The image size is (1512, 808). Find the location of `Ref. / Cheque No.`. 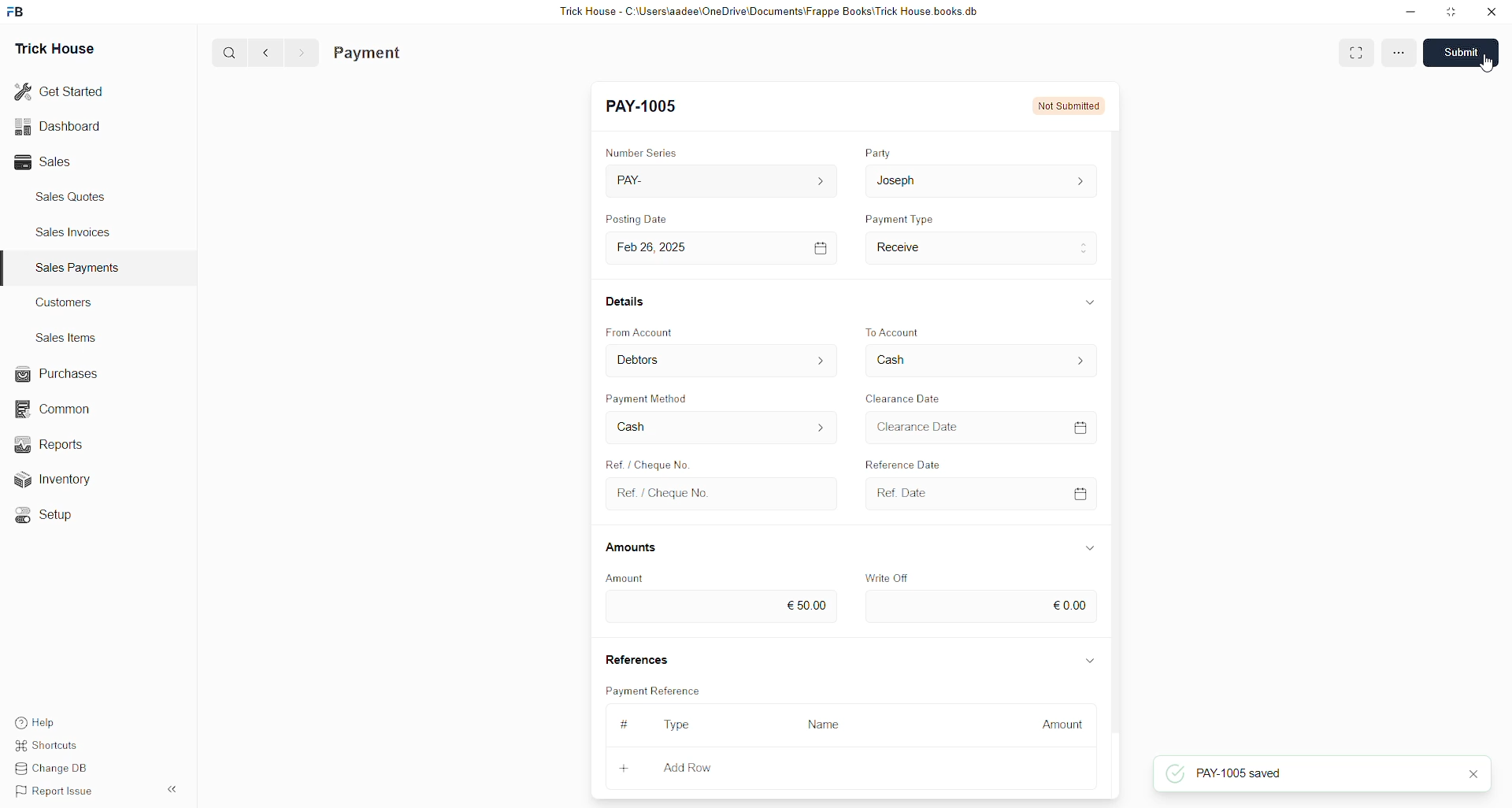

Ref. / Cheque No. is located at coordinates (724, 495).